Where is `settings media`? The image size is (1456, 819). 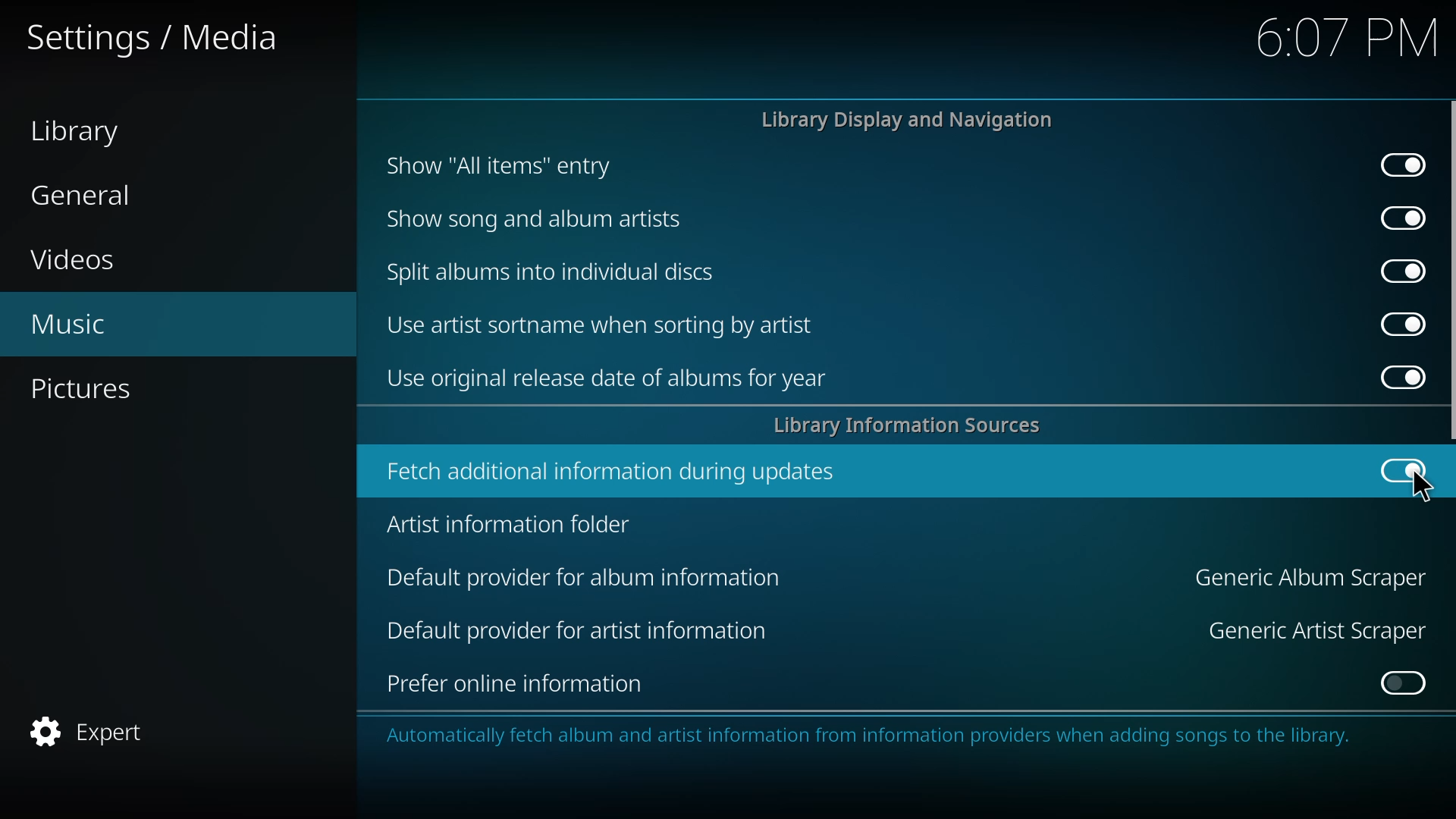
settings media is located at coordinates (158, 45).